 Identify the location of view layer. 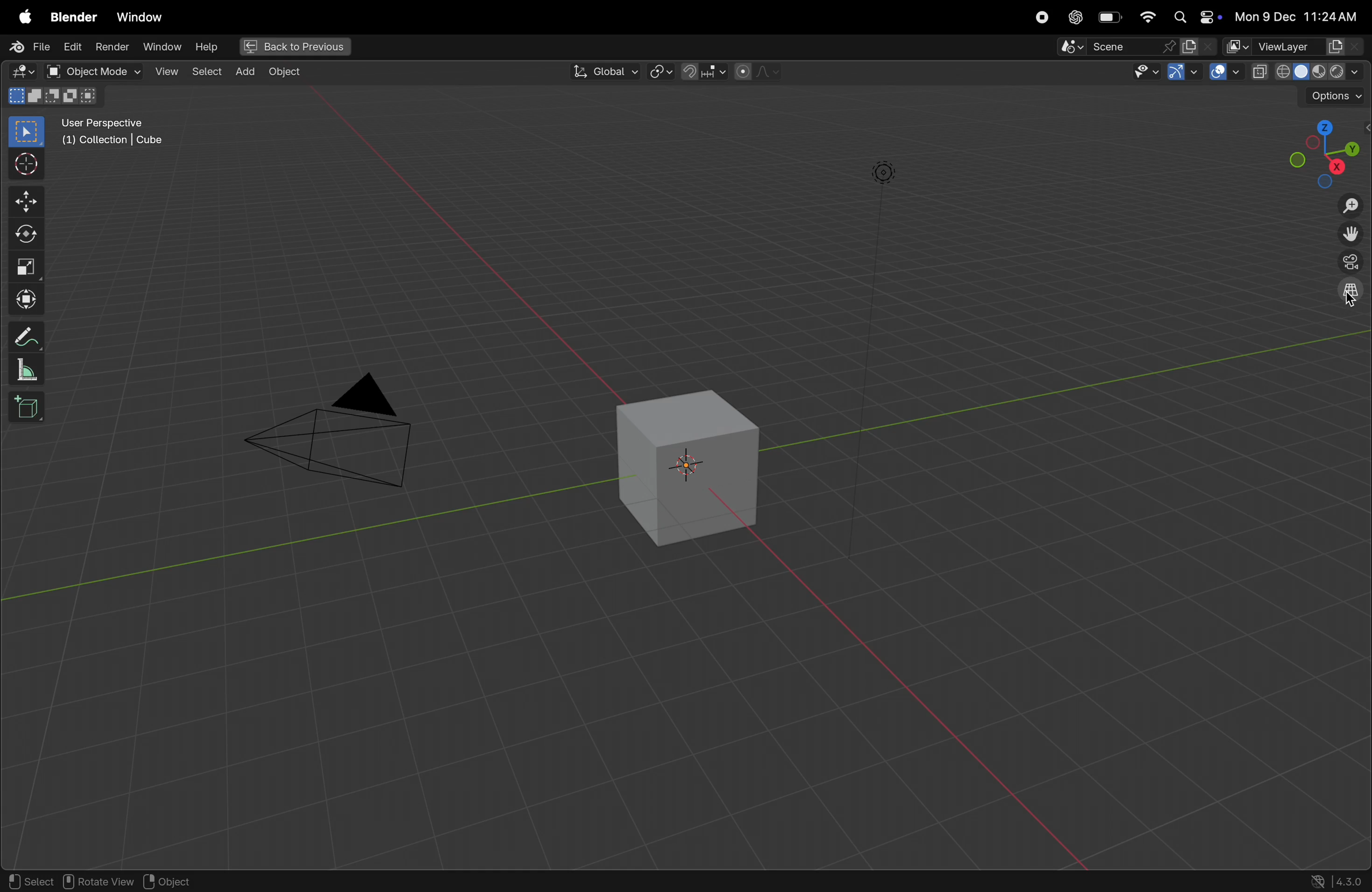
(1296, 46).